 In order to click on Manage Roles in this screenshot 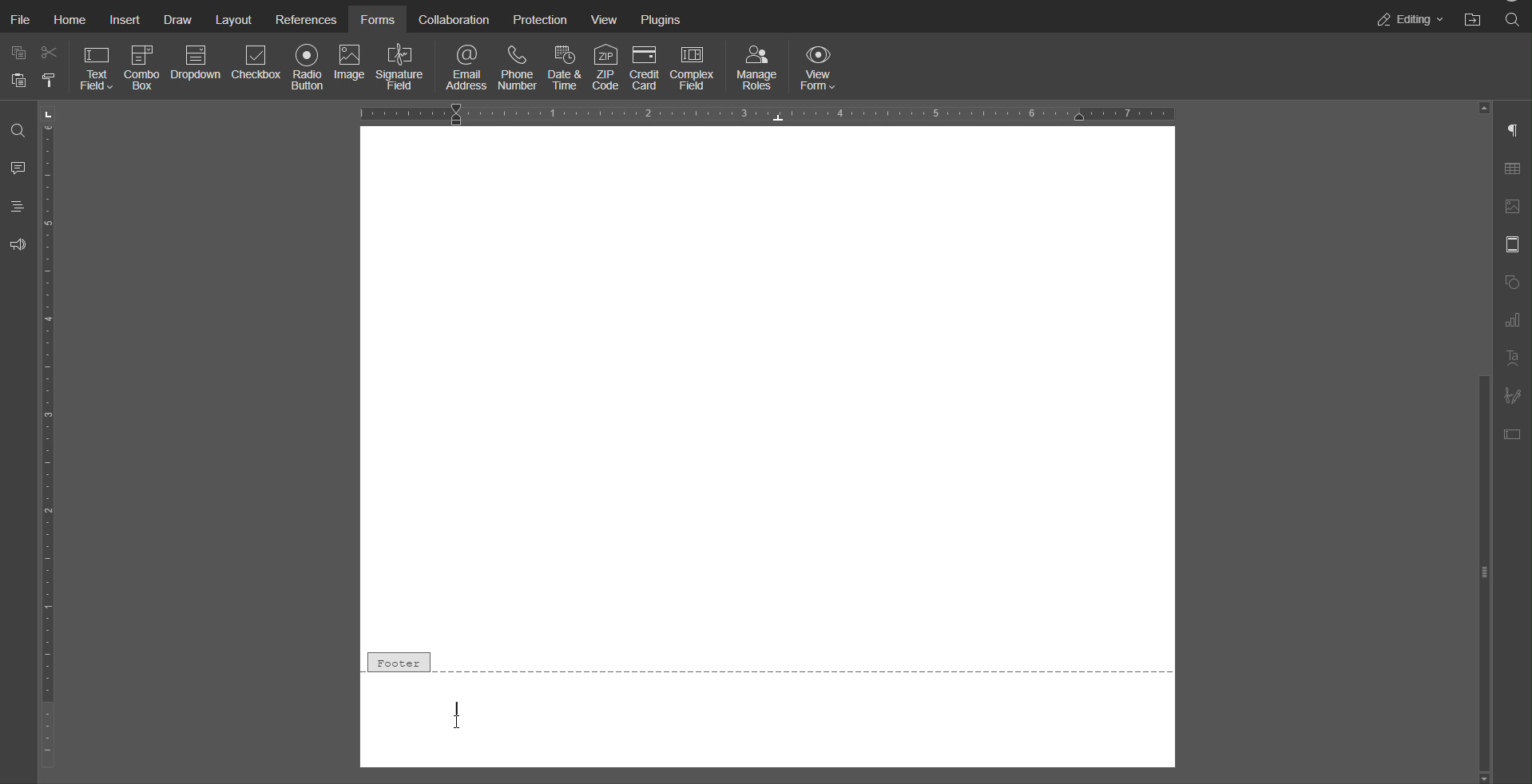, I will do `click(757, 67)`.